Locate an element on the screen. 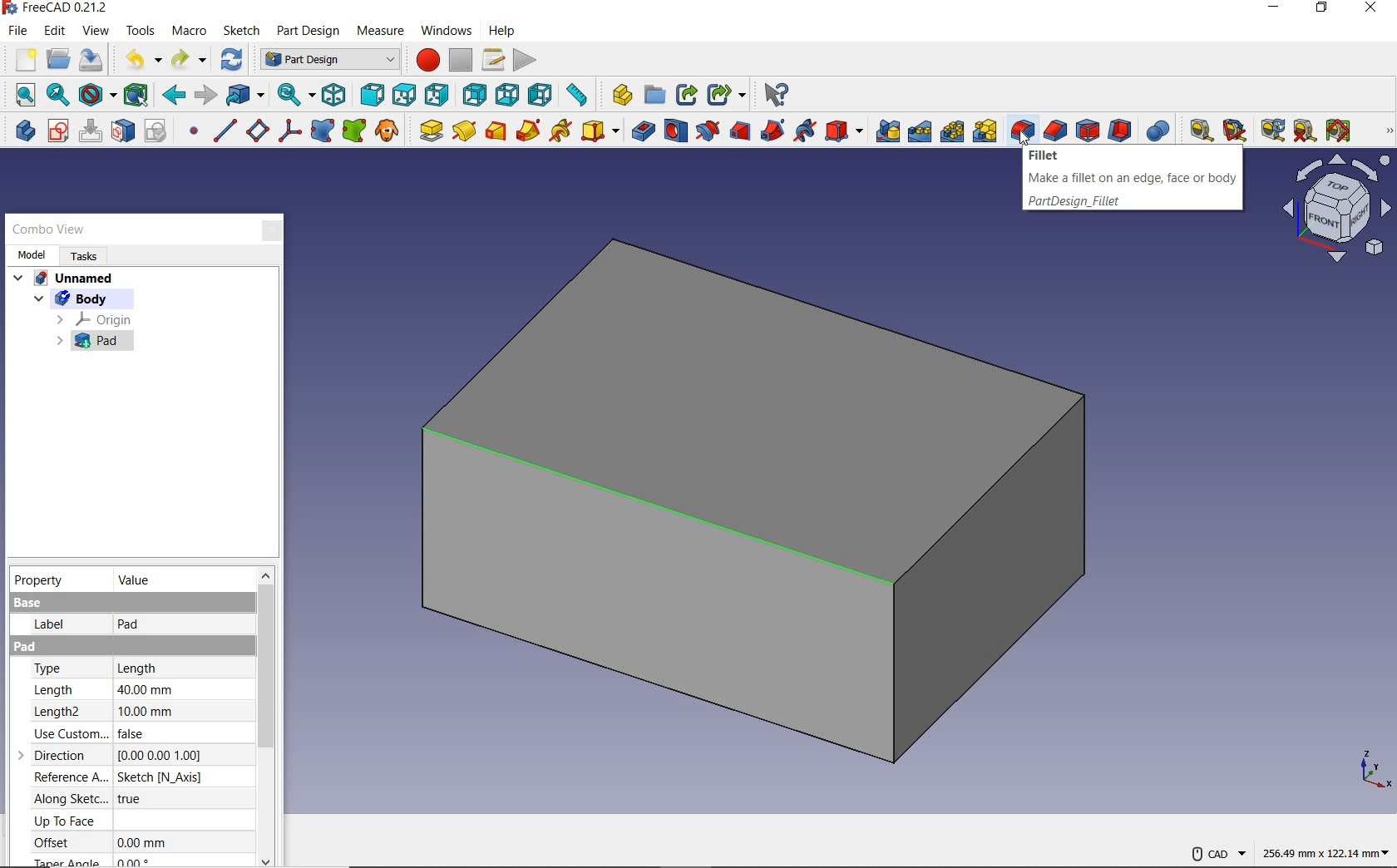  create a shape binder is located at coordinates (321, 133).